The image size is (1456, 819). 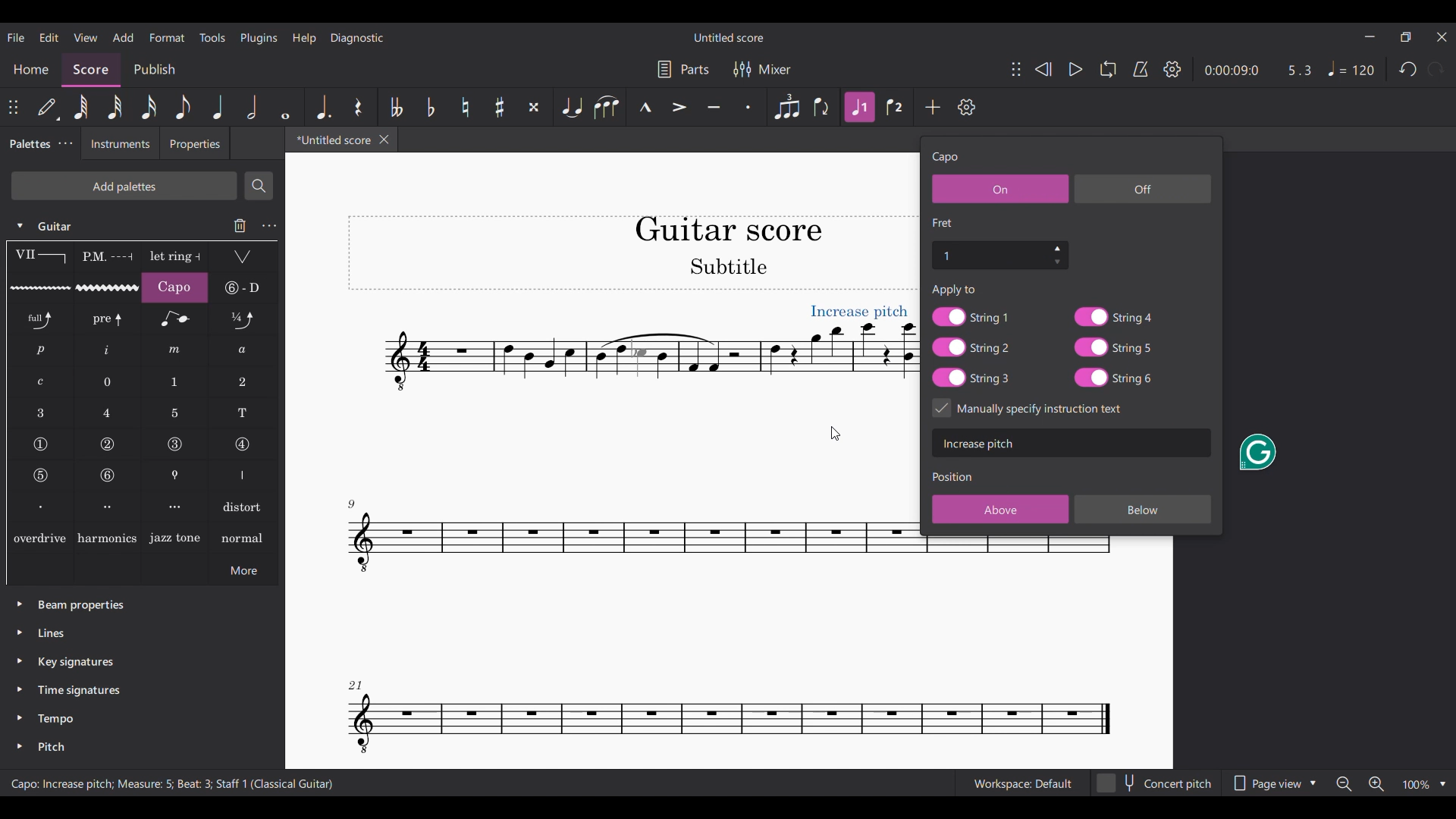 I want to click on Setting title, so click(x=948, y=158).